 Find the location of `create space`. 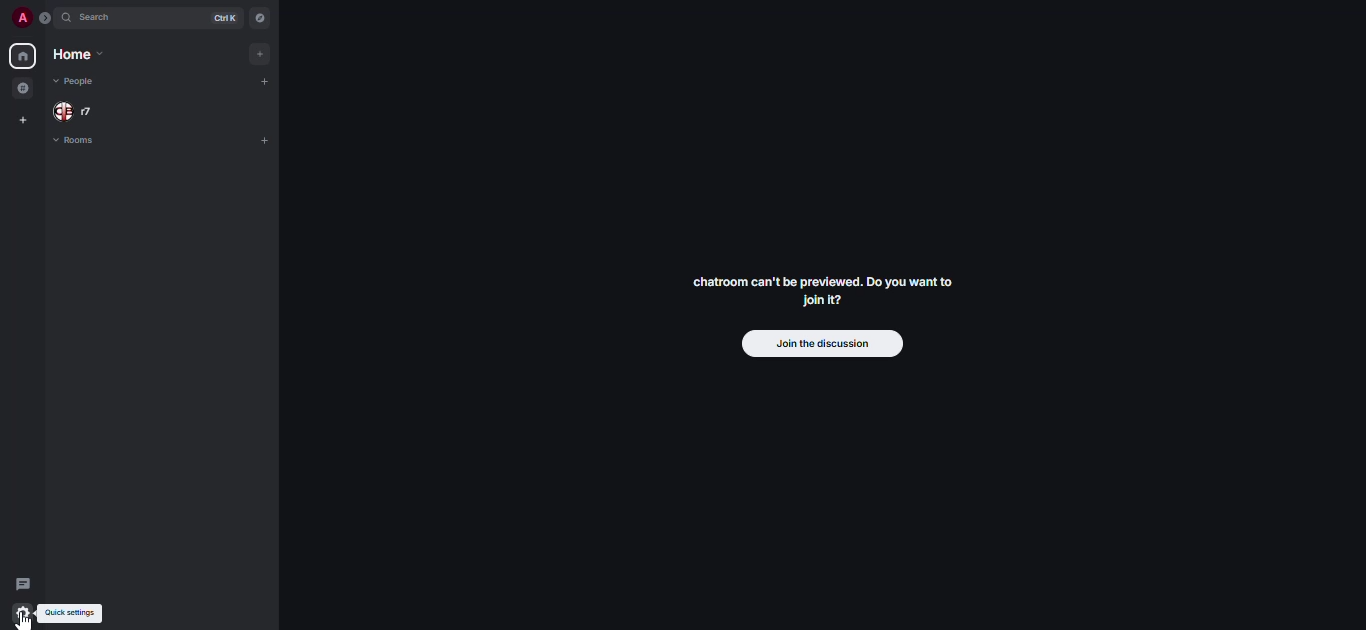

create space is located at coordinates (22, 120).